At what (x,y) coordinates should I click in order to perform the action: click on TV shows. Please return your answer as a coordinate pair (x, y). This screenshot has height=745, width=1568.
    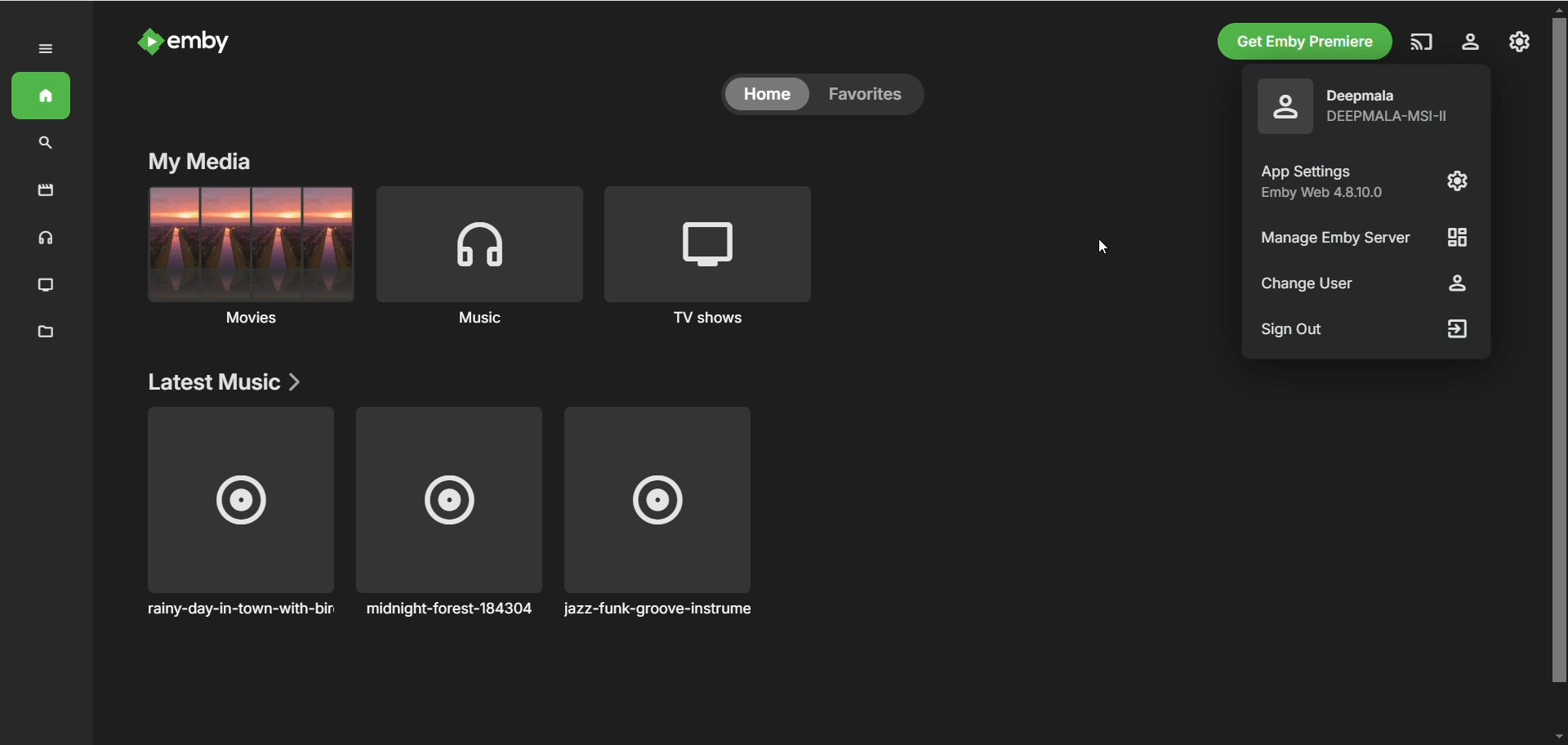
    Looking at the image, I should click on (711, 242).